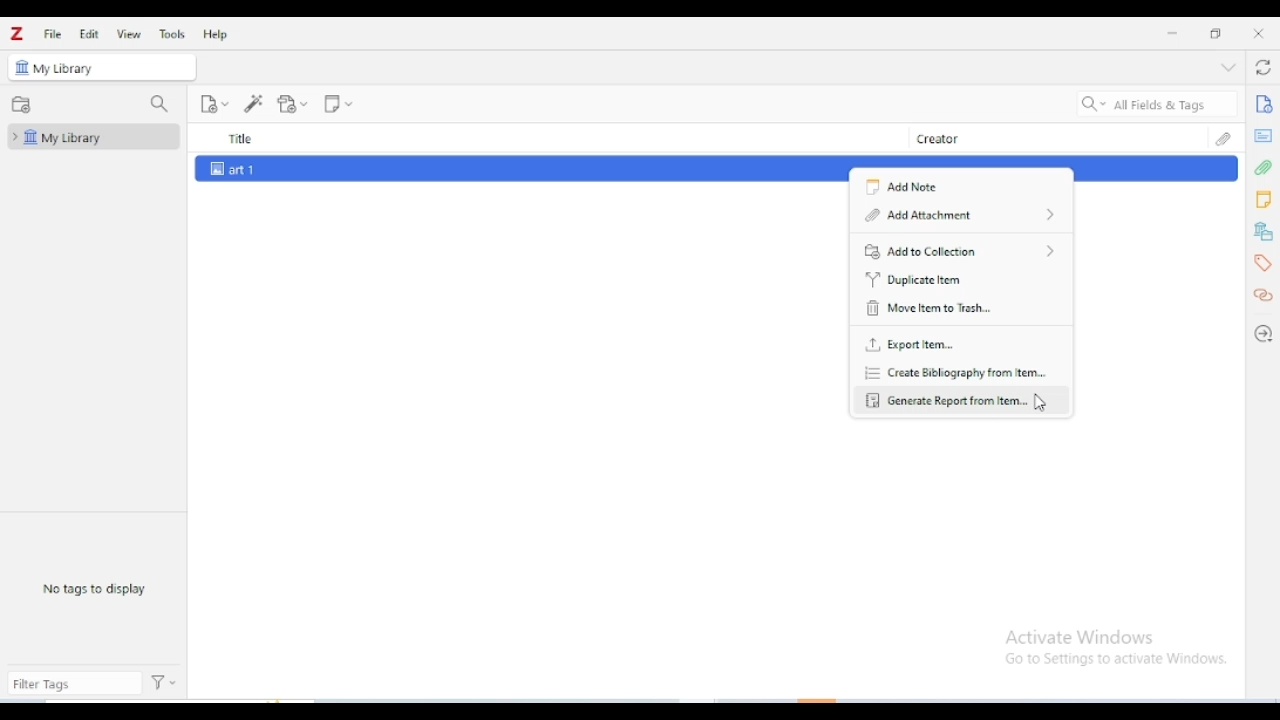  Describe the element at coordinates (160, 105) in the screenshot. I see `filter collections` at that location.